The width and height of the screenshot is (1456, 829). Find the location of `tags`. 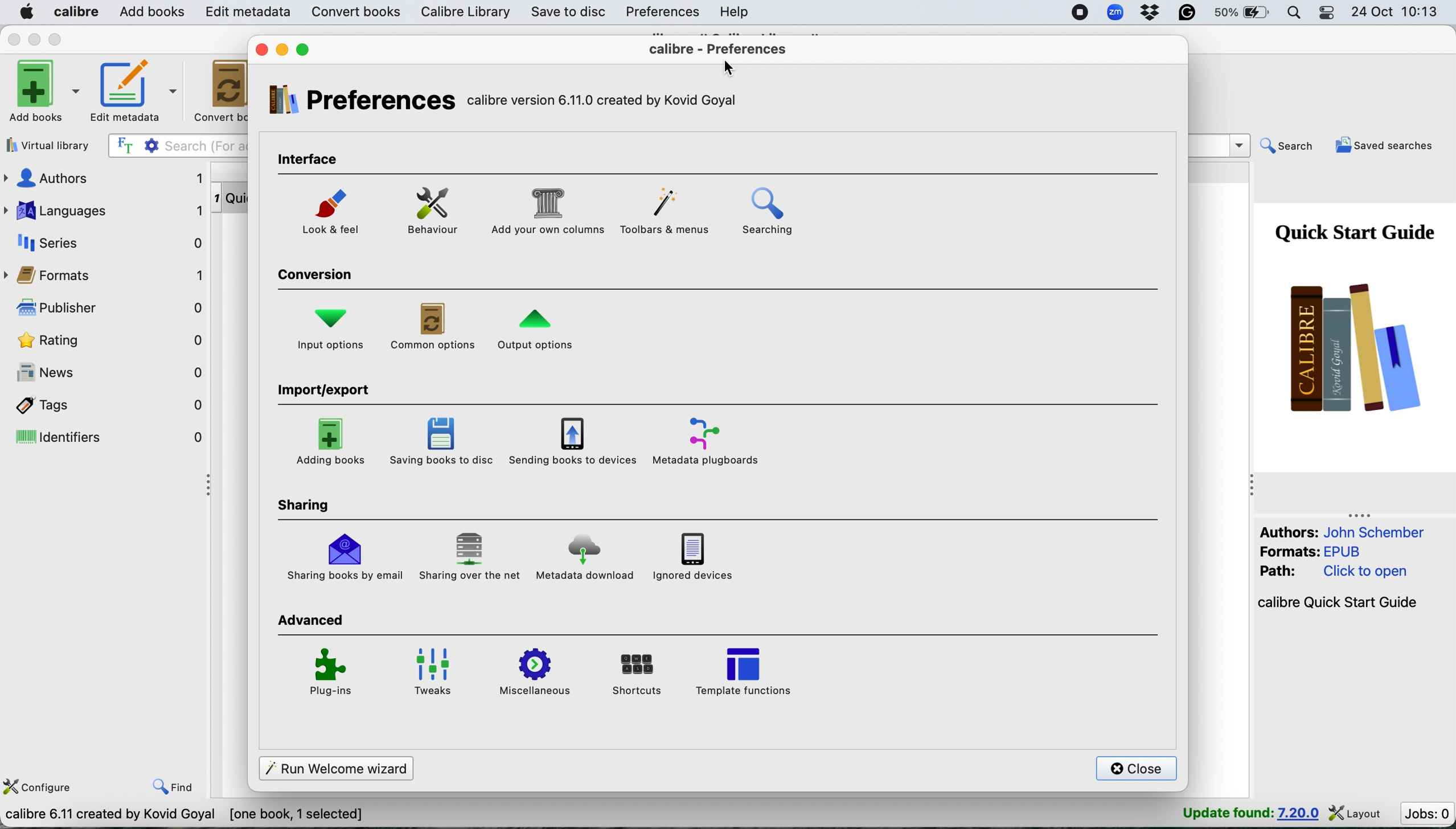

tags is located at coordinates (112, 405).